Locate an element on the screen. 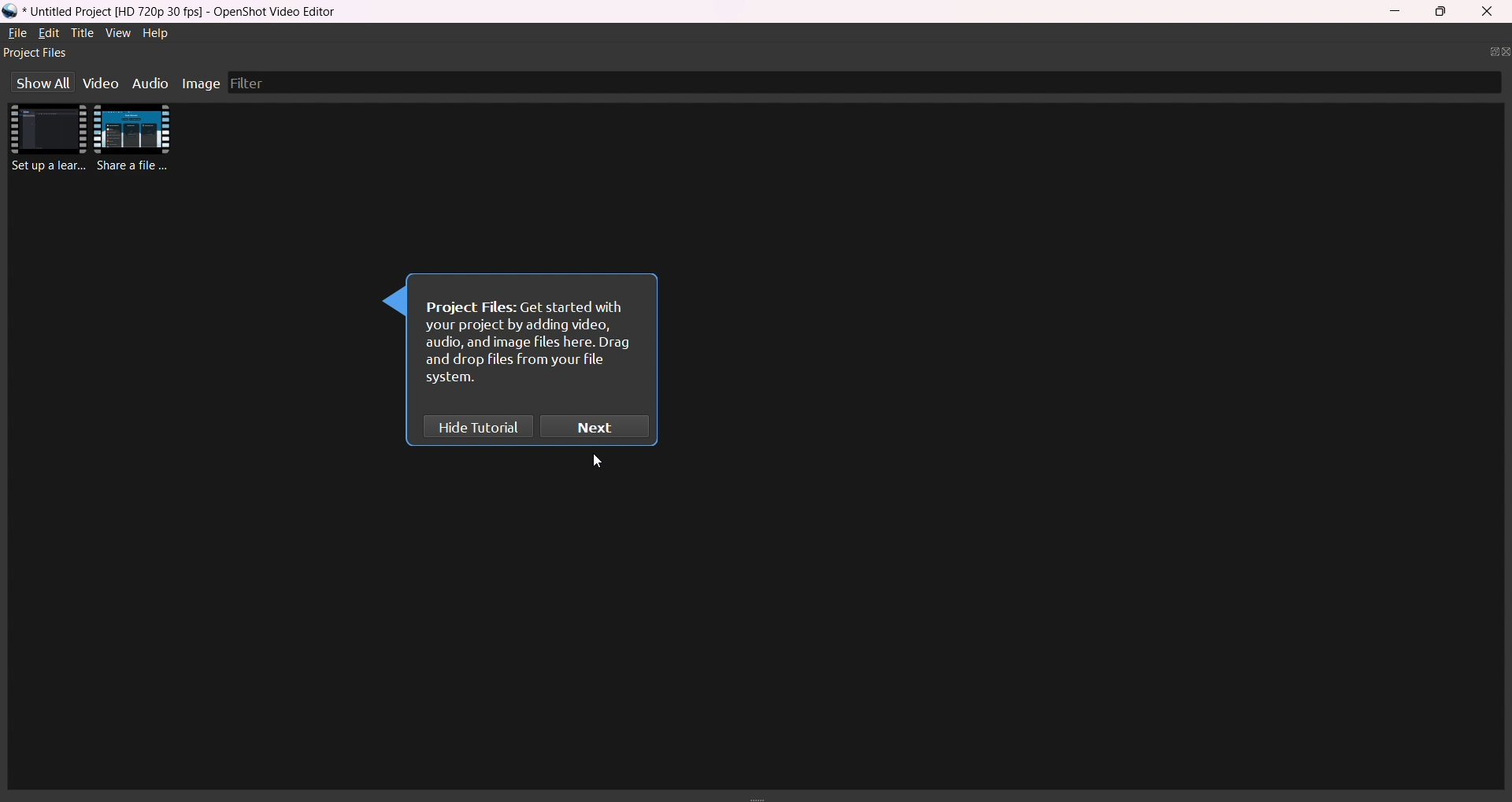 This screenshot has width=1512, height=802. title is located at coordinates (80, 35).